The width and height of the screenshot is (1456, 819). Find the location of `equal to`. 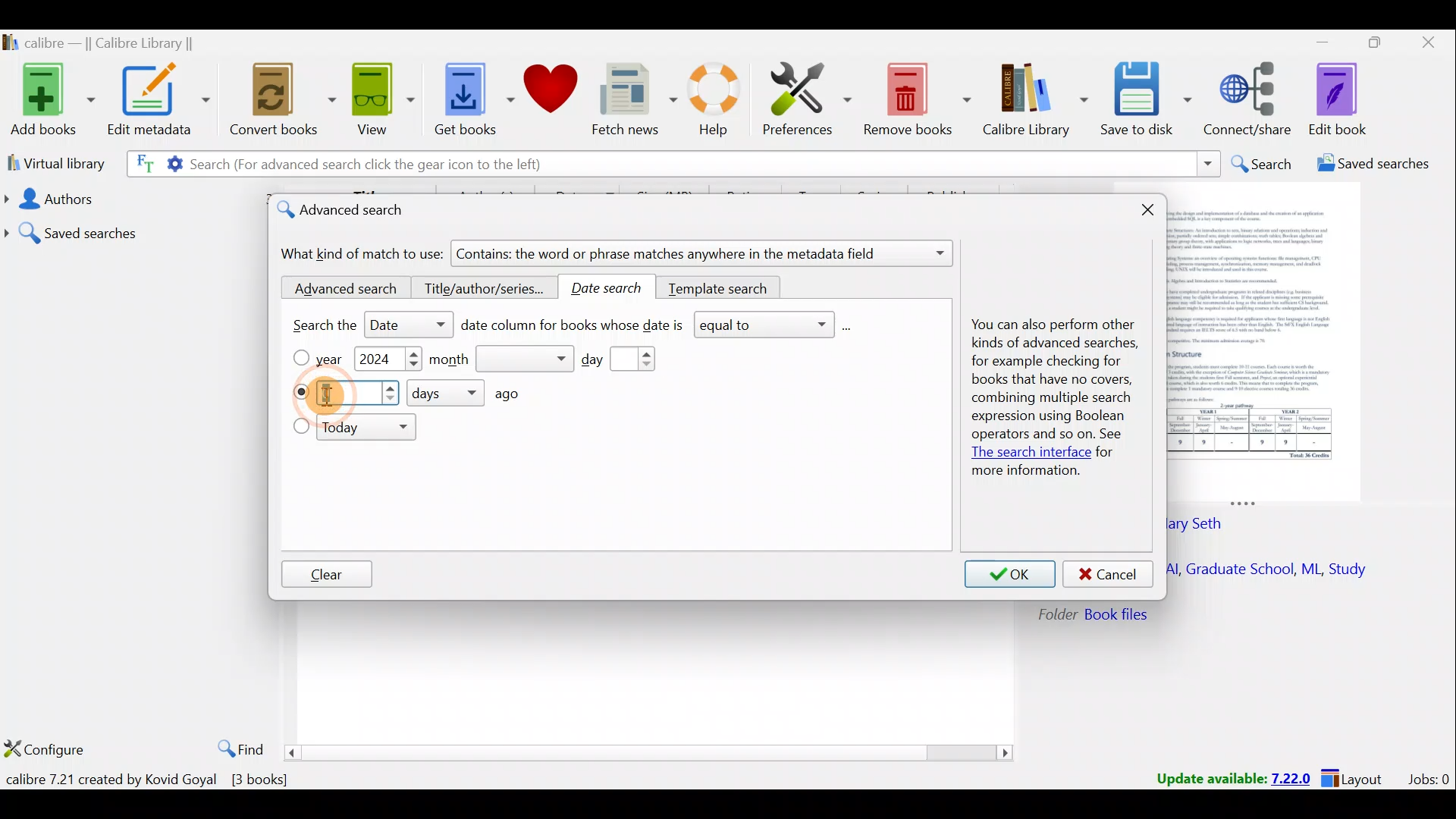

equal to is located at coordinates (773, 326).